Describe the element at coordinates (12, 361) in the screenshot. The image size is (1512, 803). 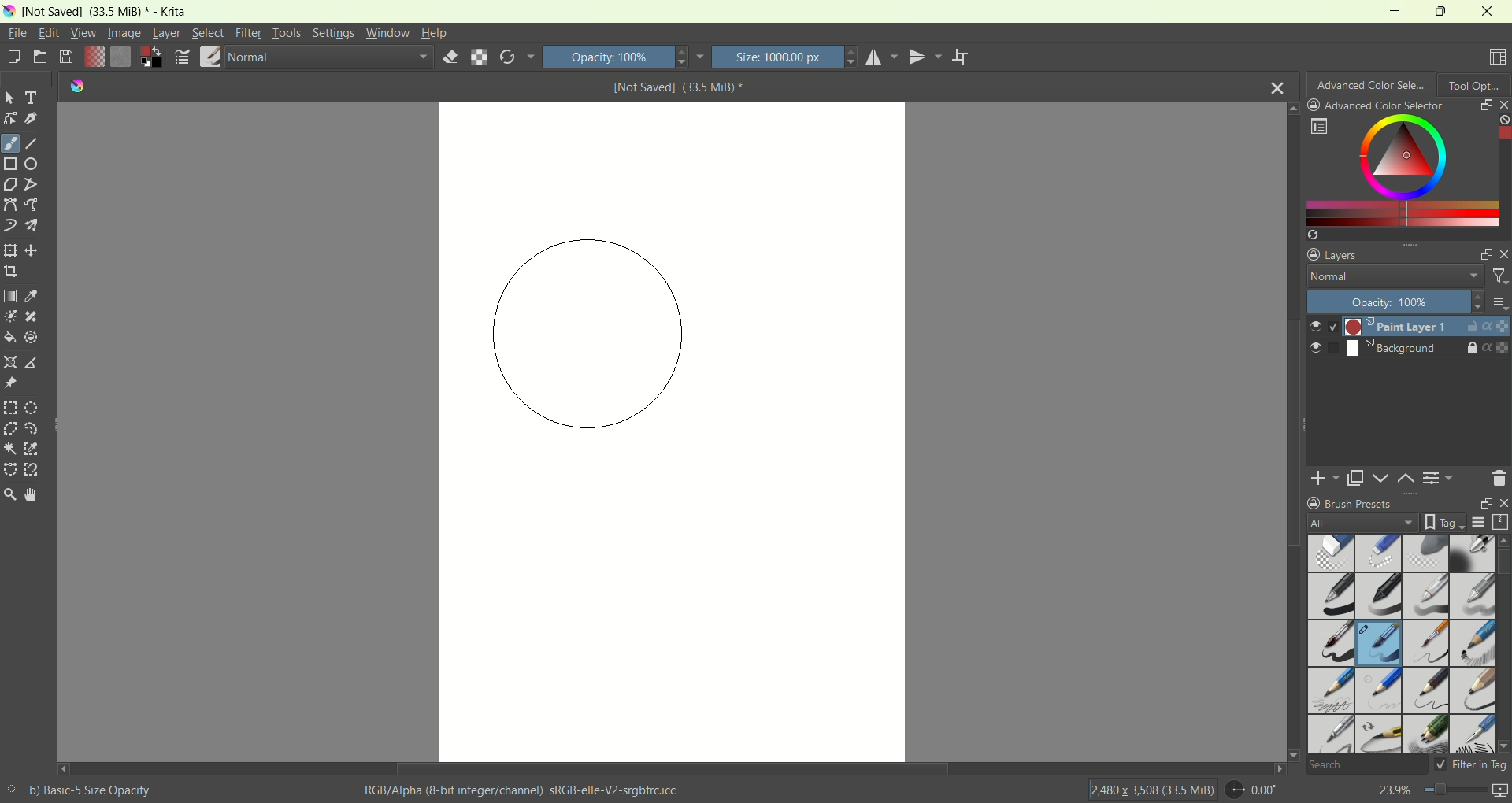
I see `assistant tool` at that location.